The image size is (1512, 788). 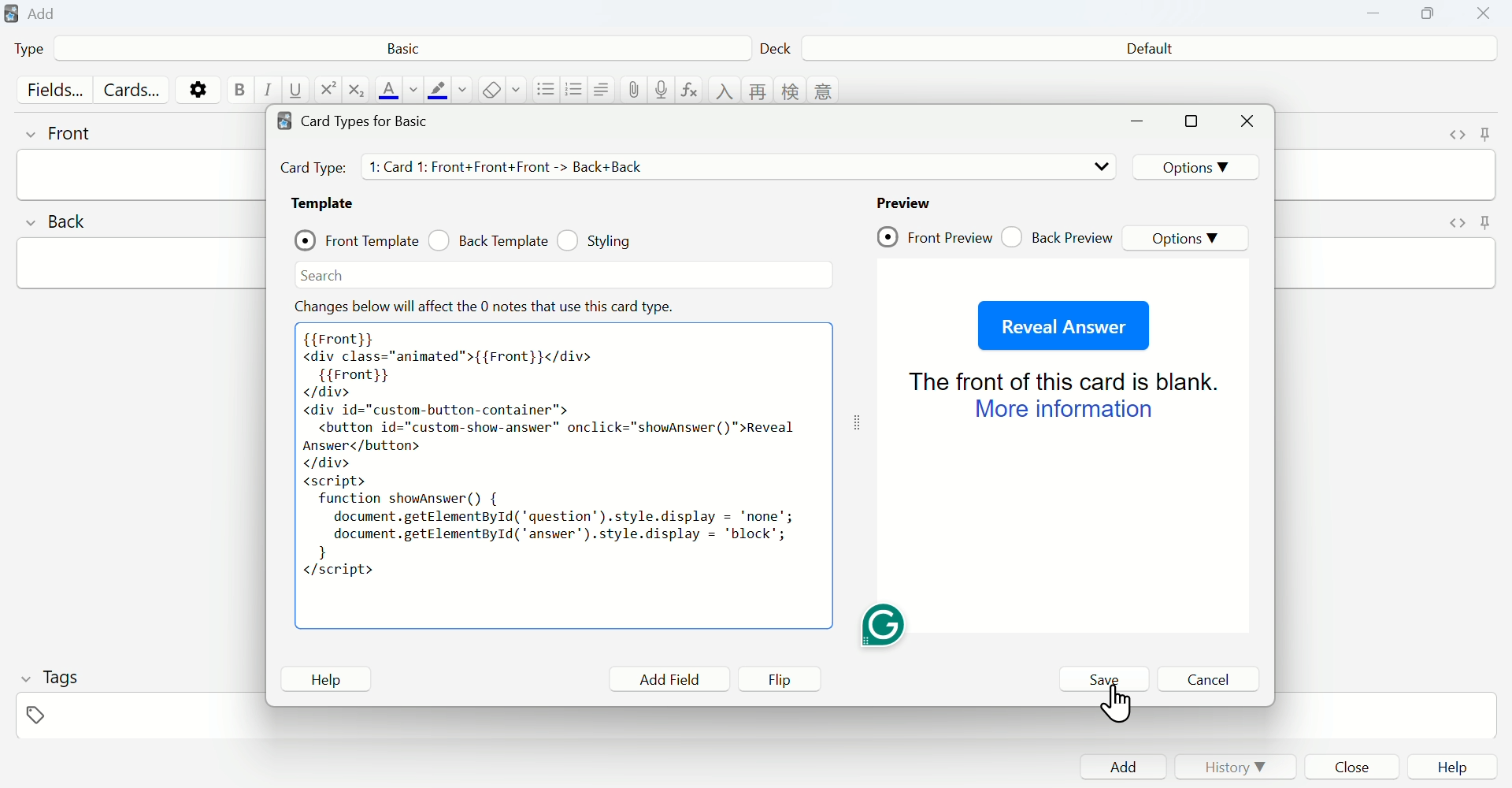 What do you see at coordinates (438, 90) in the screenshot?
I see `text highlight color` at bounding box center [438, 90].